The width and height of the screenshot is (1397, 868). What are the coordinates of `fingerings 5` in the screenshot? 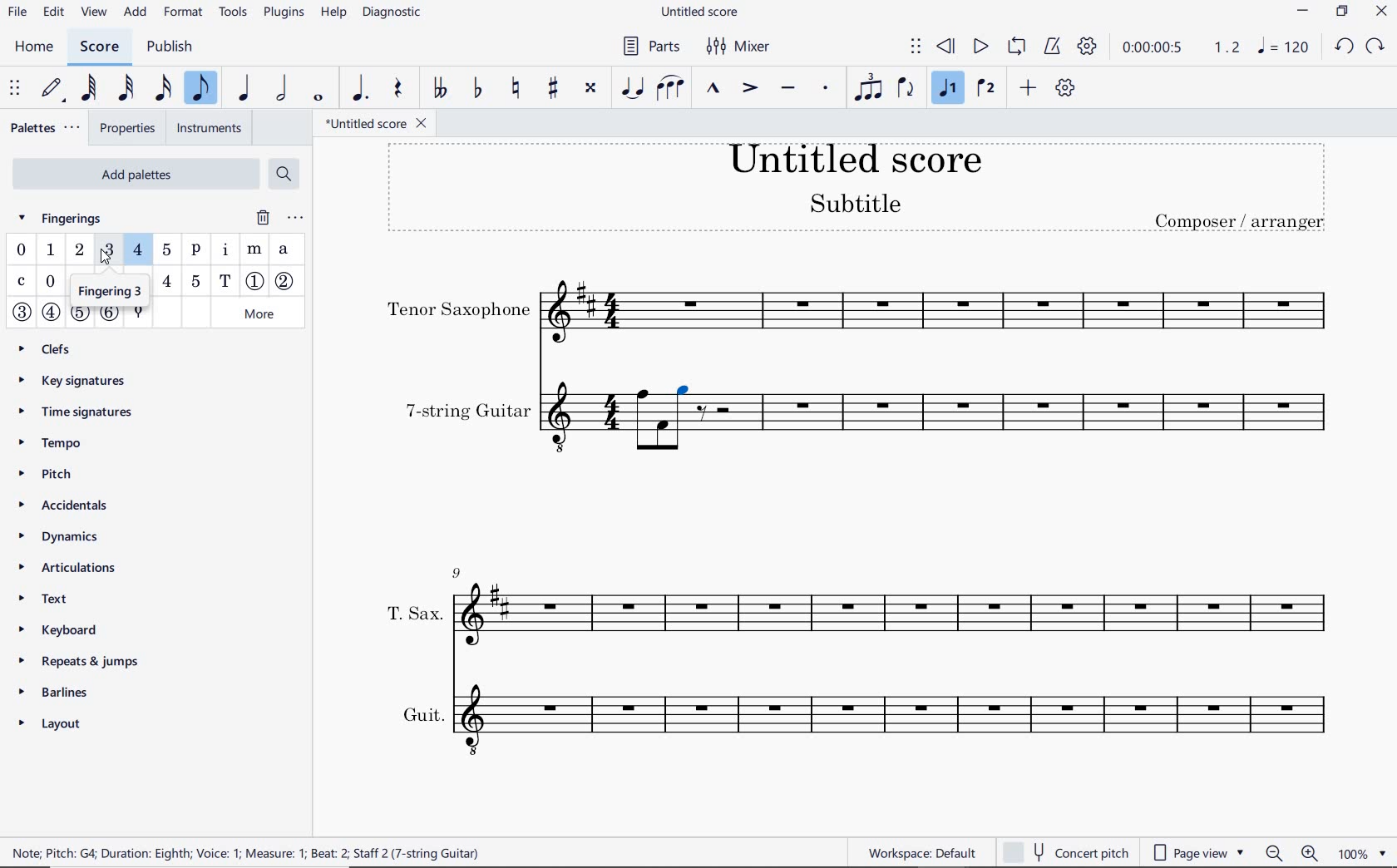 It's located at (165, 250).